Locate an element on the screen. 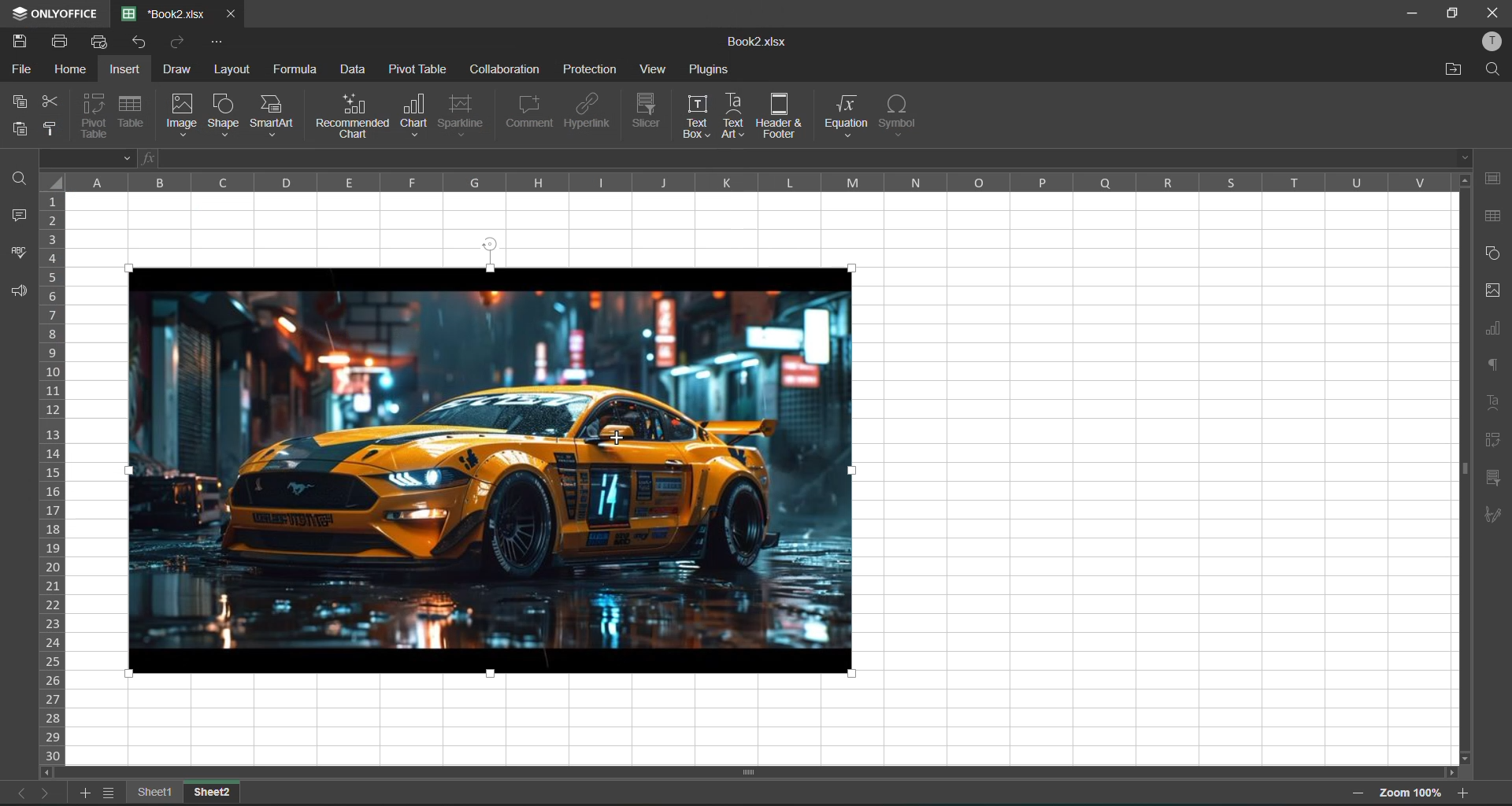 The height and width of the screenshot is (806, 1512). text box is located at coordinates (699, 116).